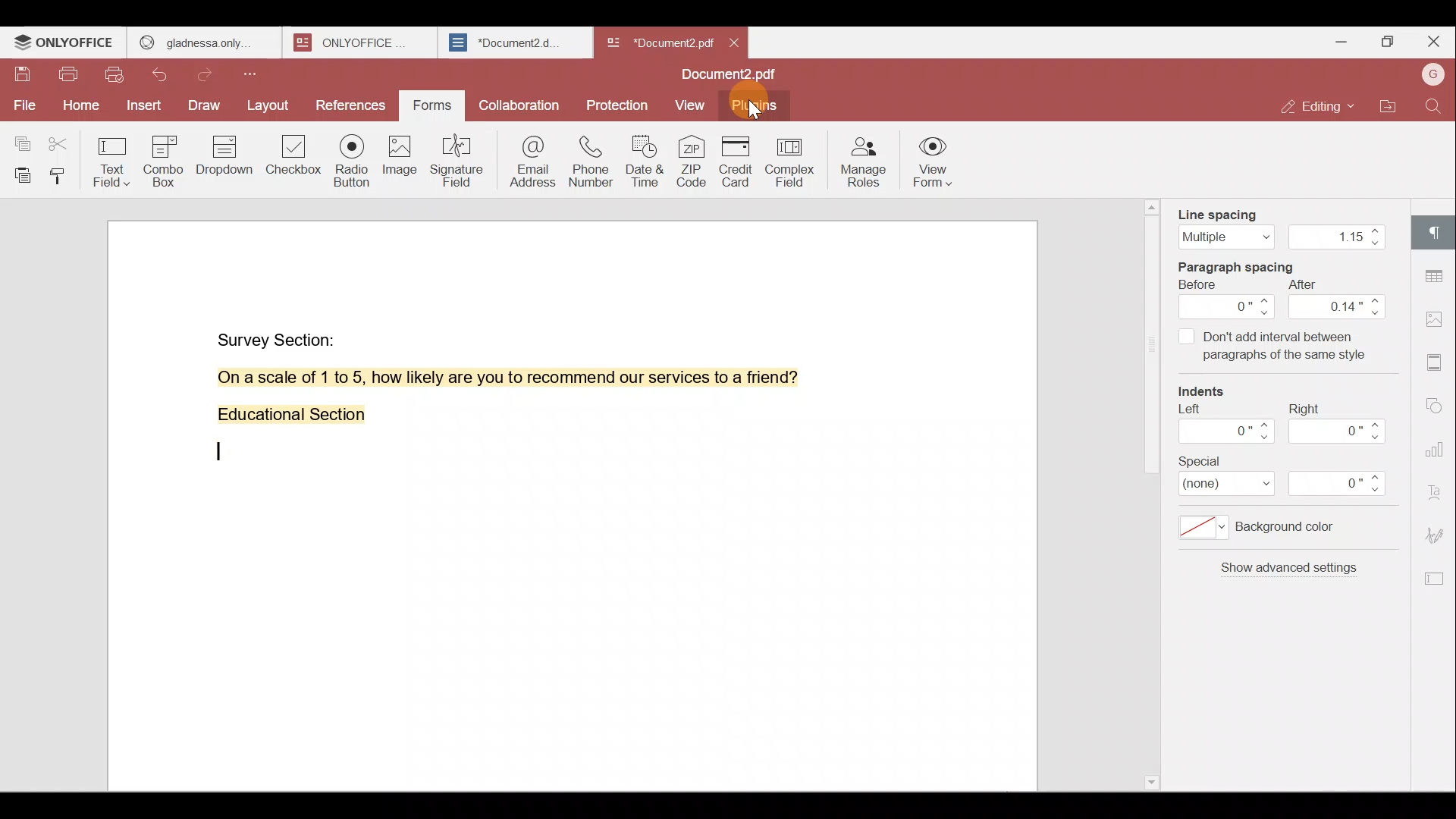 The height and width of the screenshot is (819, 1456). What do you see at coordinates (21, 137) in the screenshot?
I see `Copy` at bounding box center [21, 137].